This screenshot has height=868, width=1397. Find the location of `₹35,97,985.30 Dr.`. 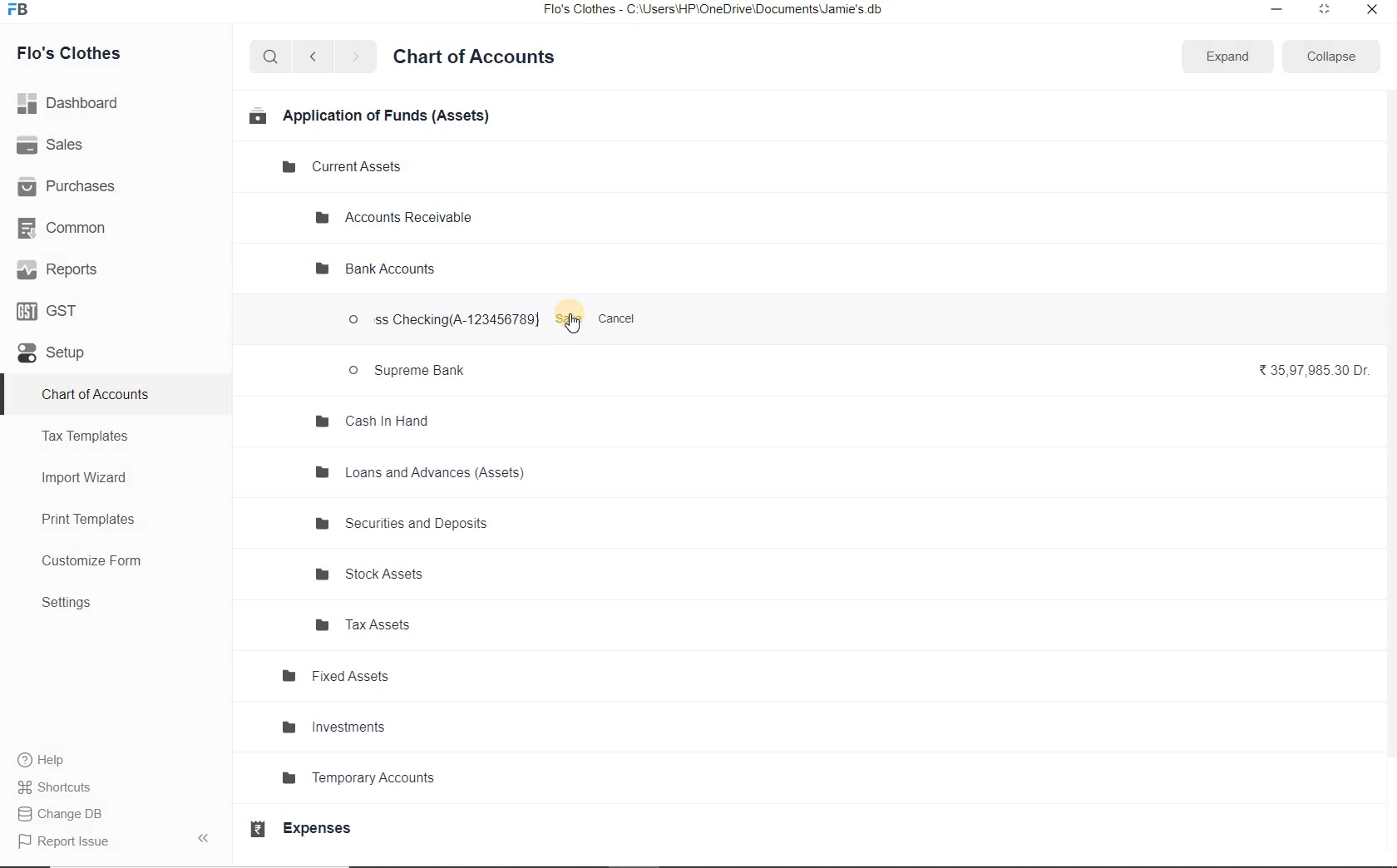

₹35,97,985.30 Dr. is located at coordinates (1316, 371).